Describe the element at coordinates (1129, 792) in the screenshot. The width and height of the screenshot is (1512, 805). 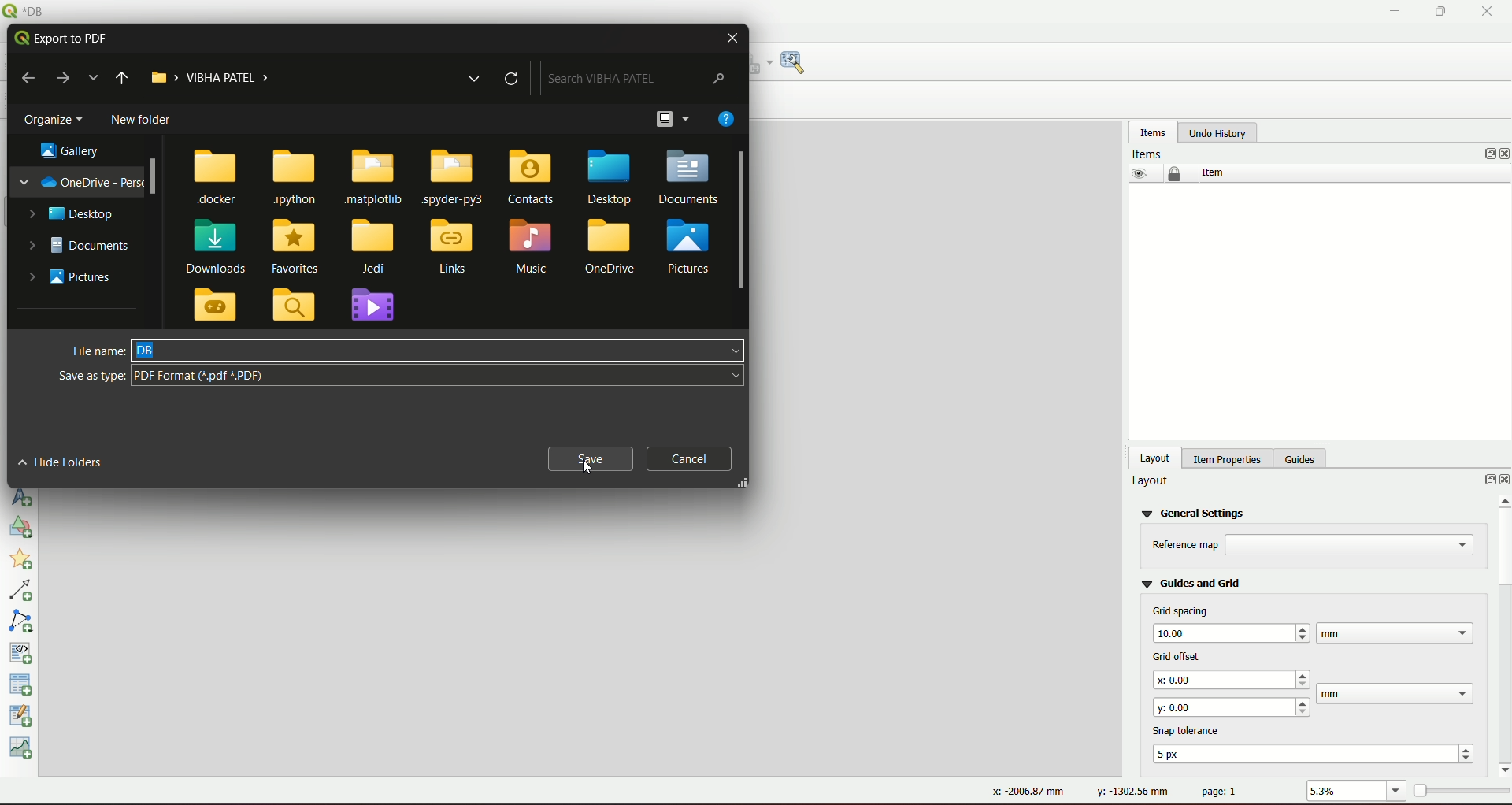
I see `y:-1302.56 mm` at that location.